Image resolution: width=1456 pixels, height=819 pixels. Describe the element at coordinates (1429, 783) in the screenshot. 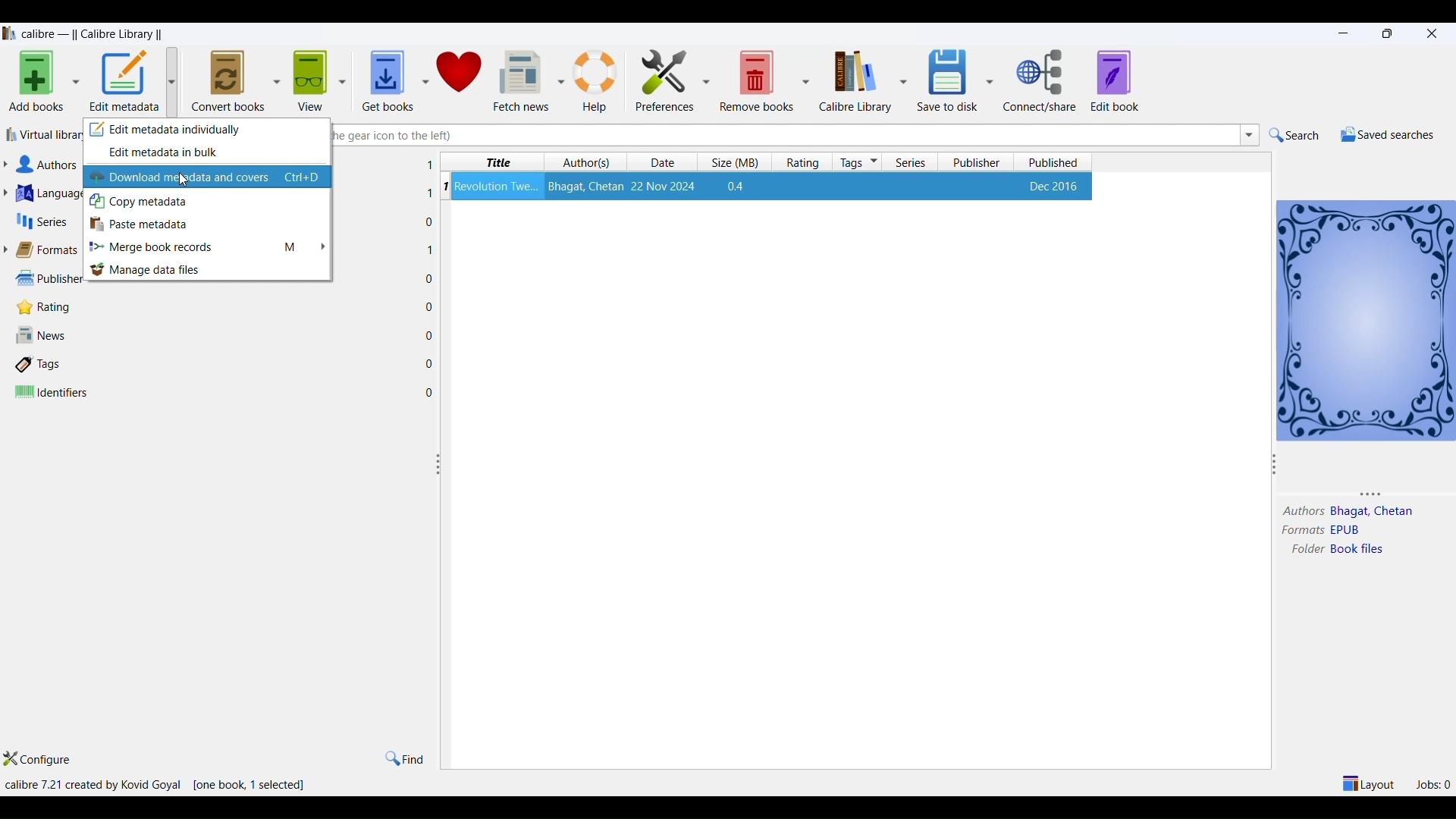

I see `jobs` at that location.